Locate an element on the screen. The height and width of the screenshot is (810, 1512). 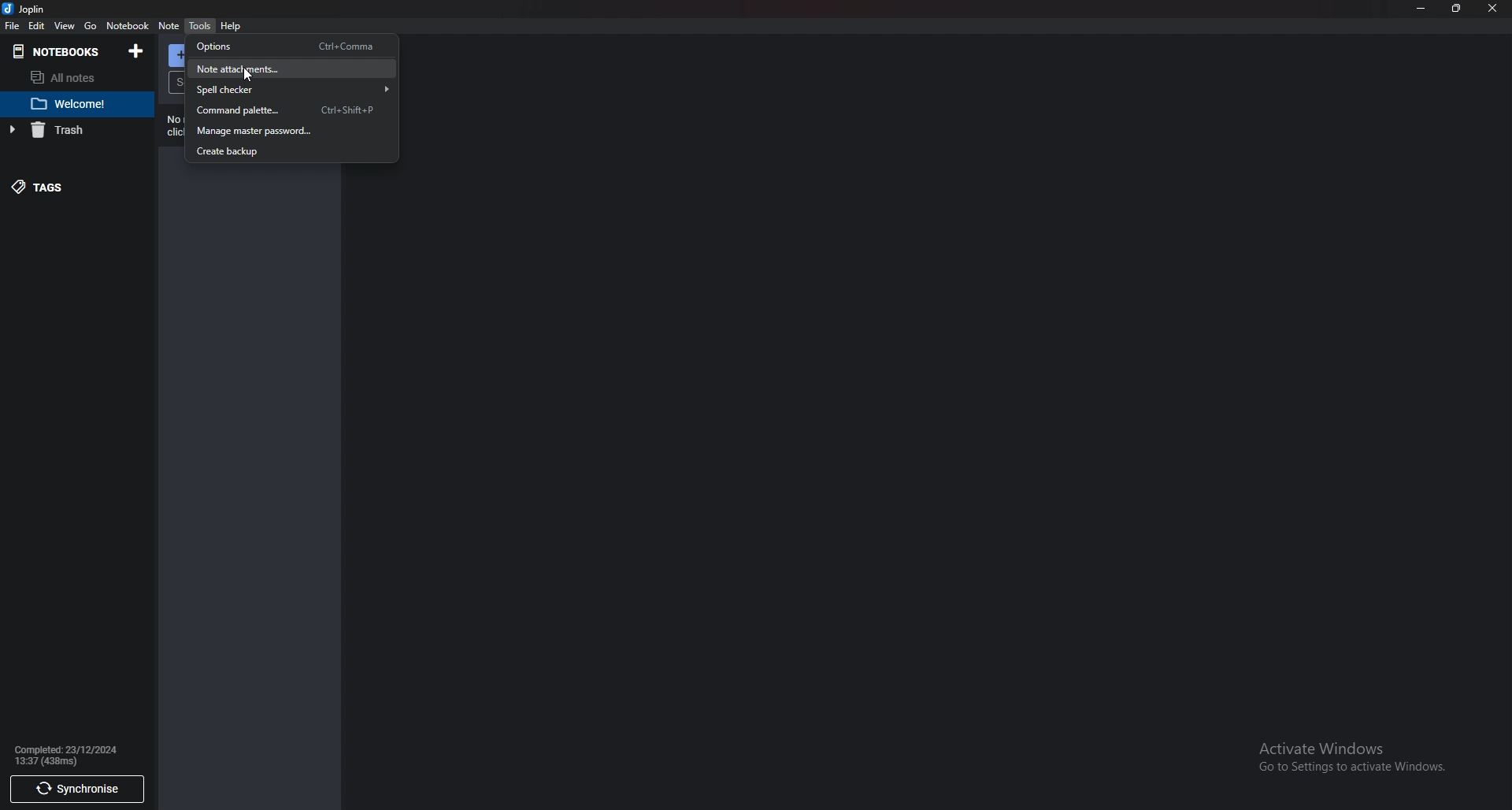
info is located at coordinates (78, 754).